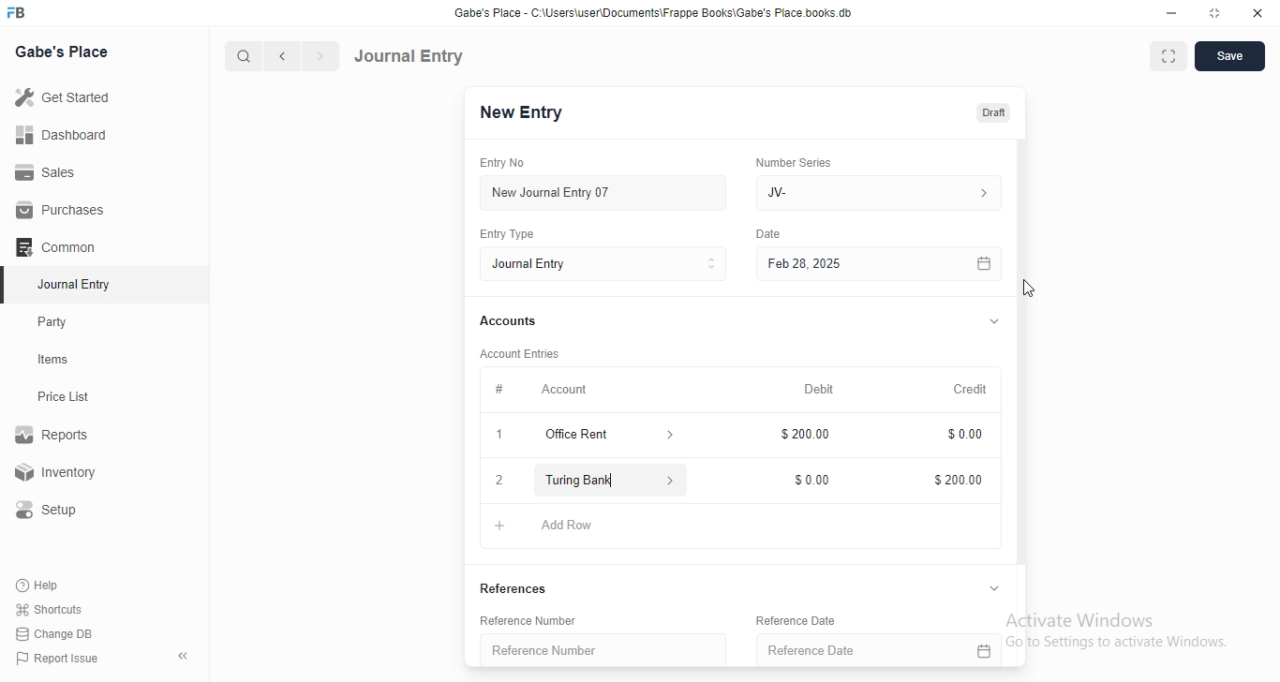 Image resolution: width=1280 pixels, height=682 pixels. What do you see at coordinates (1226, 58) in the screenshot?
I see `save` at bounding box center [1226, 58].